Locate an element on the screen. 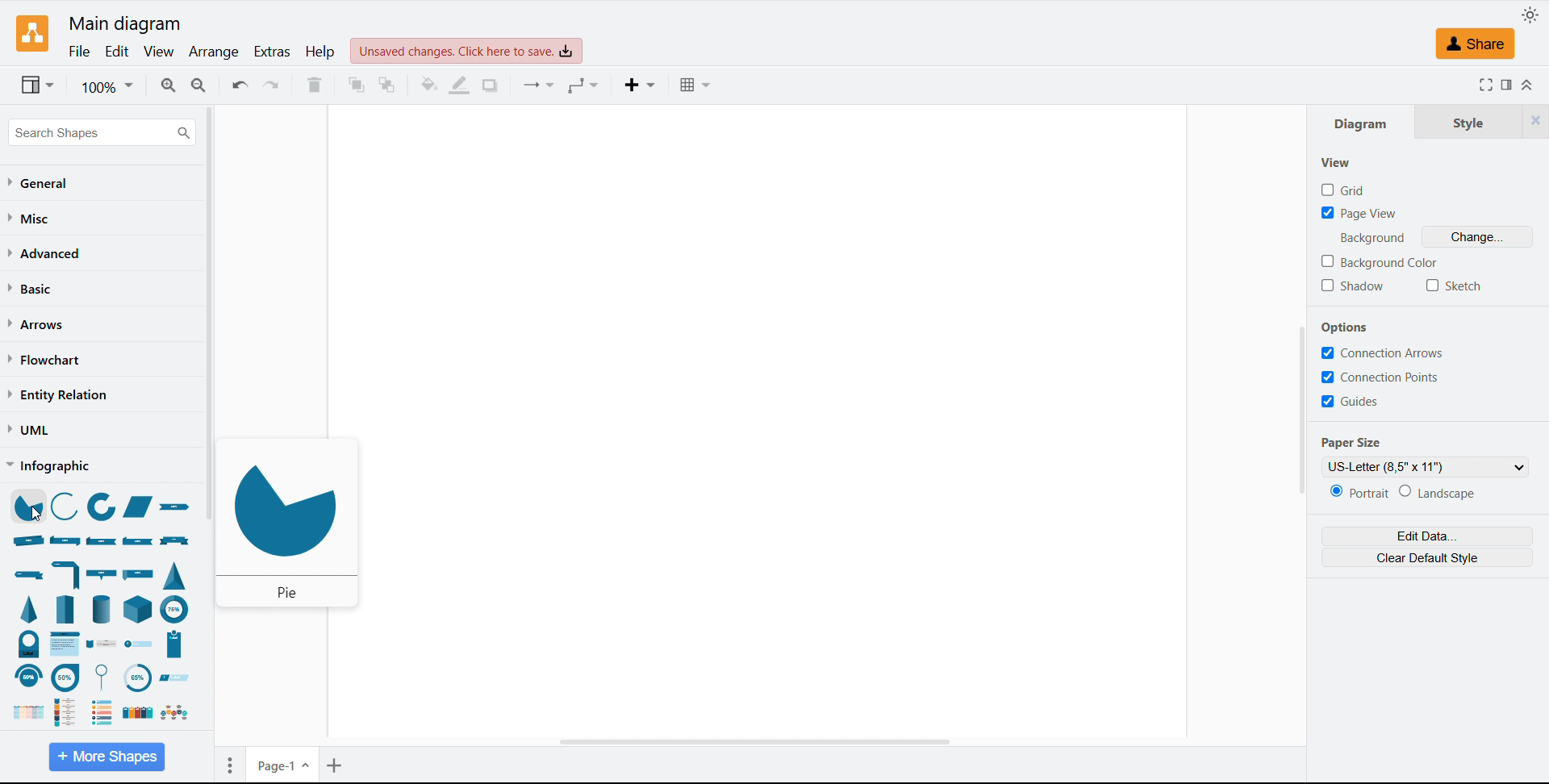  background is located at coordinates (1372, 239).